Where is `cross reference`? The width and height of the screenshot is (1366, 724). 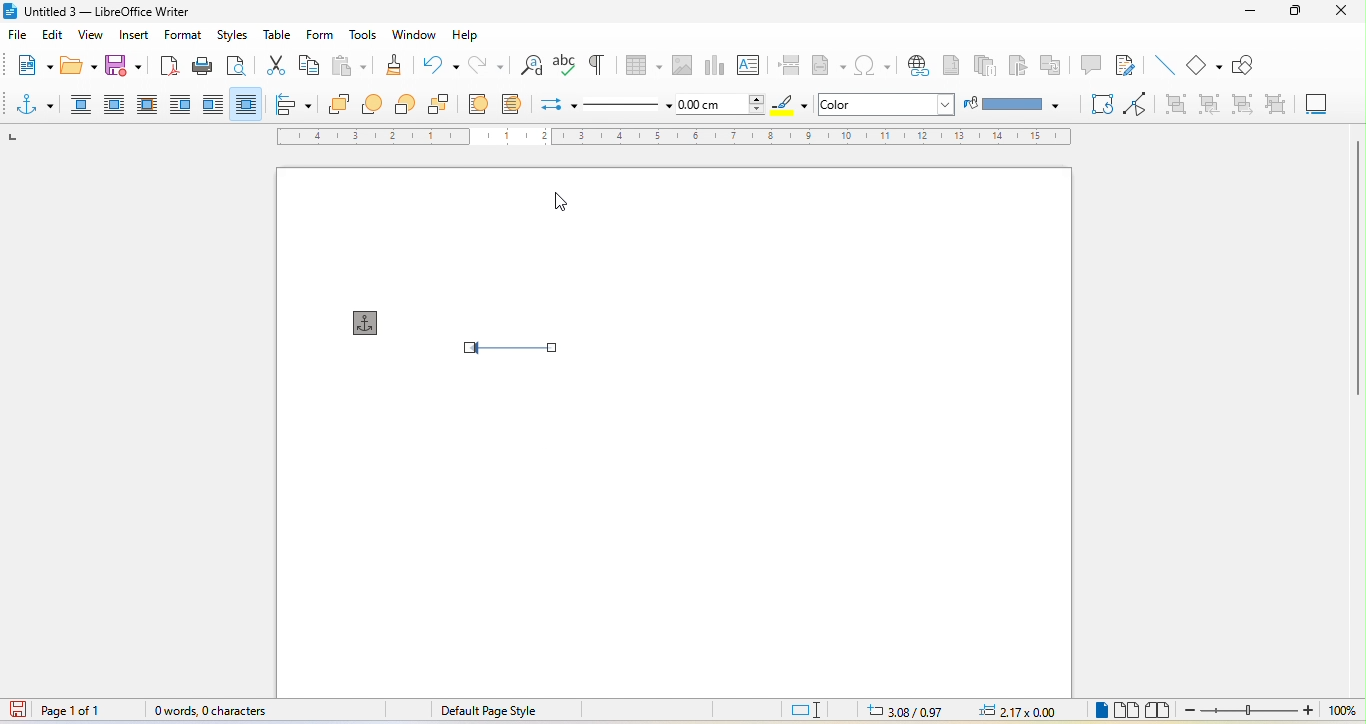
cross reference is located at coordinates (1051, 65).